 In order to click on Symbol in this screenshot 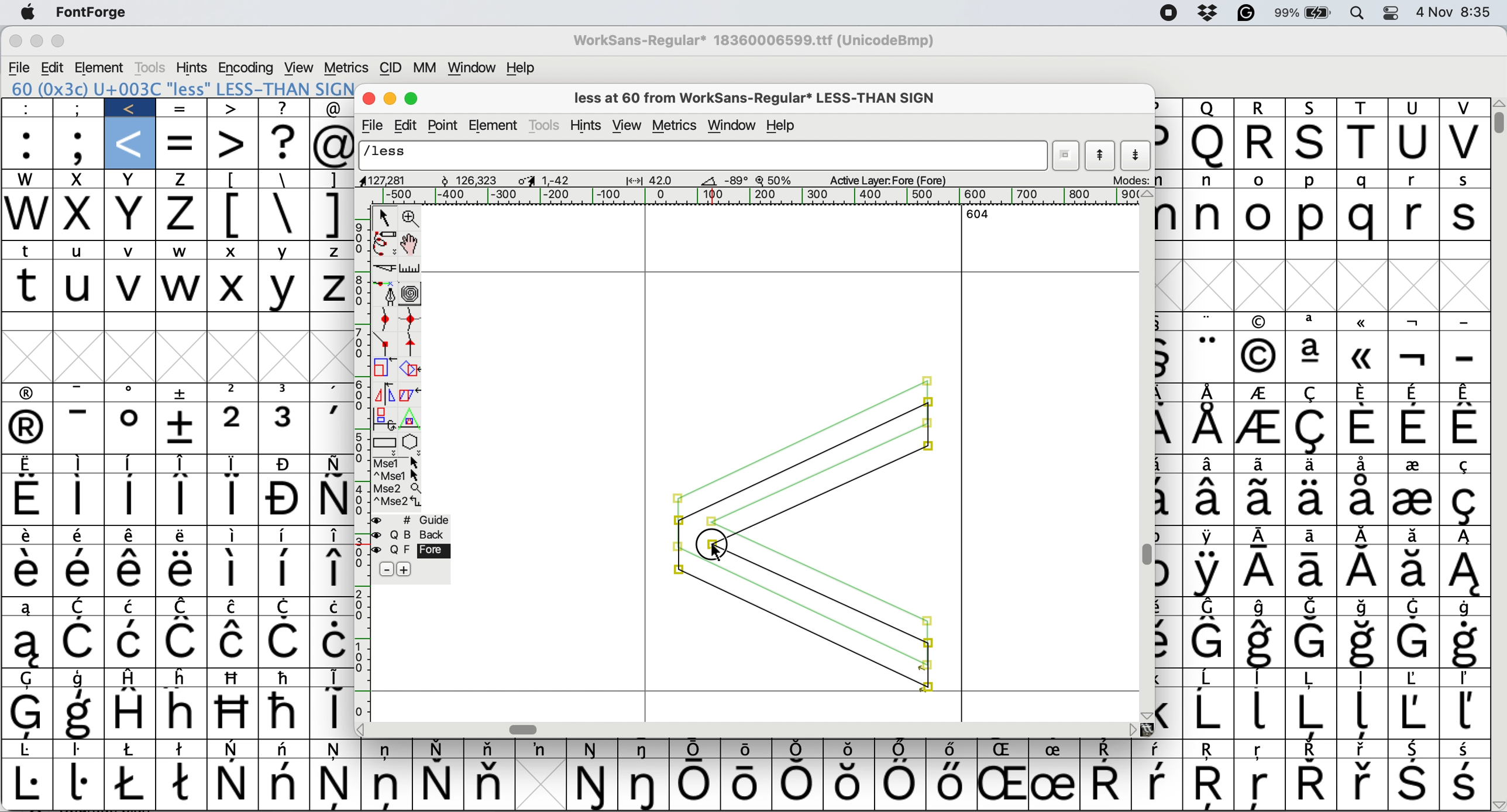, I will do `click(1464, 749)`.